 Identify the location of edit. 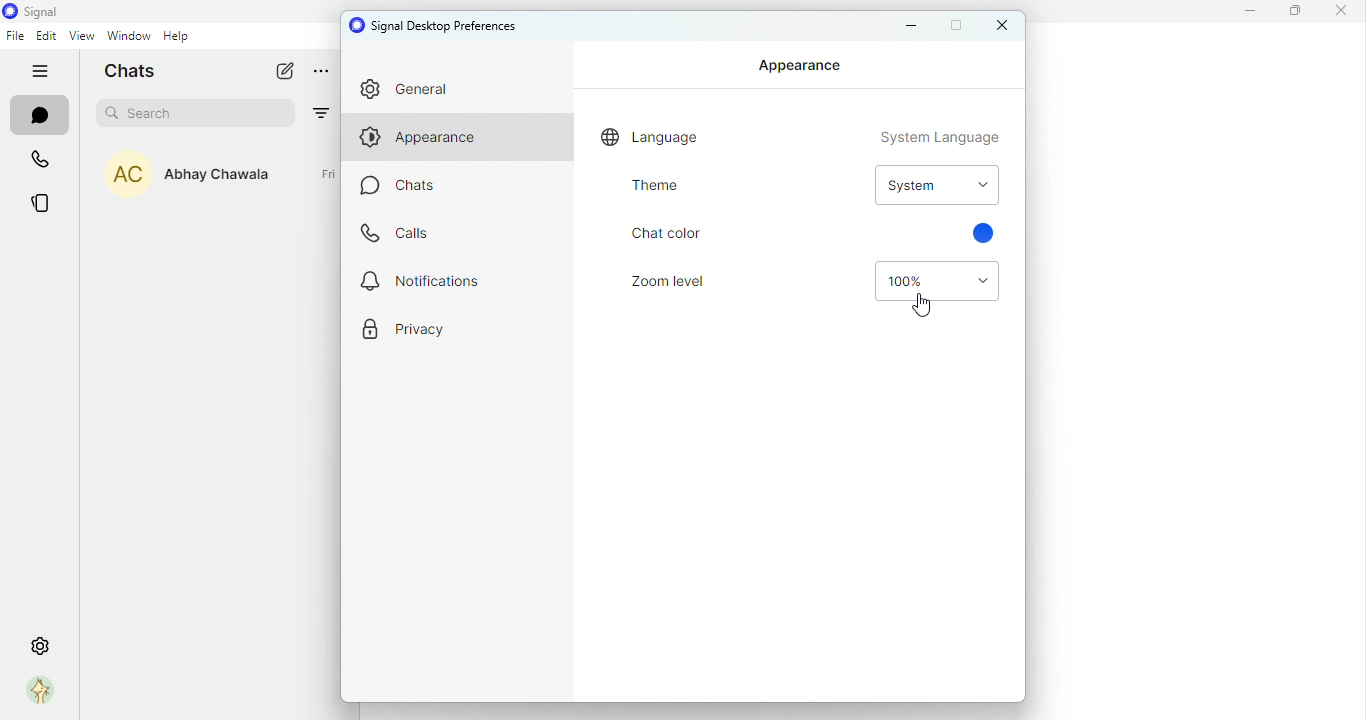
(47, 37).